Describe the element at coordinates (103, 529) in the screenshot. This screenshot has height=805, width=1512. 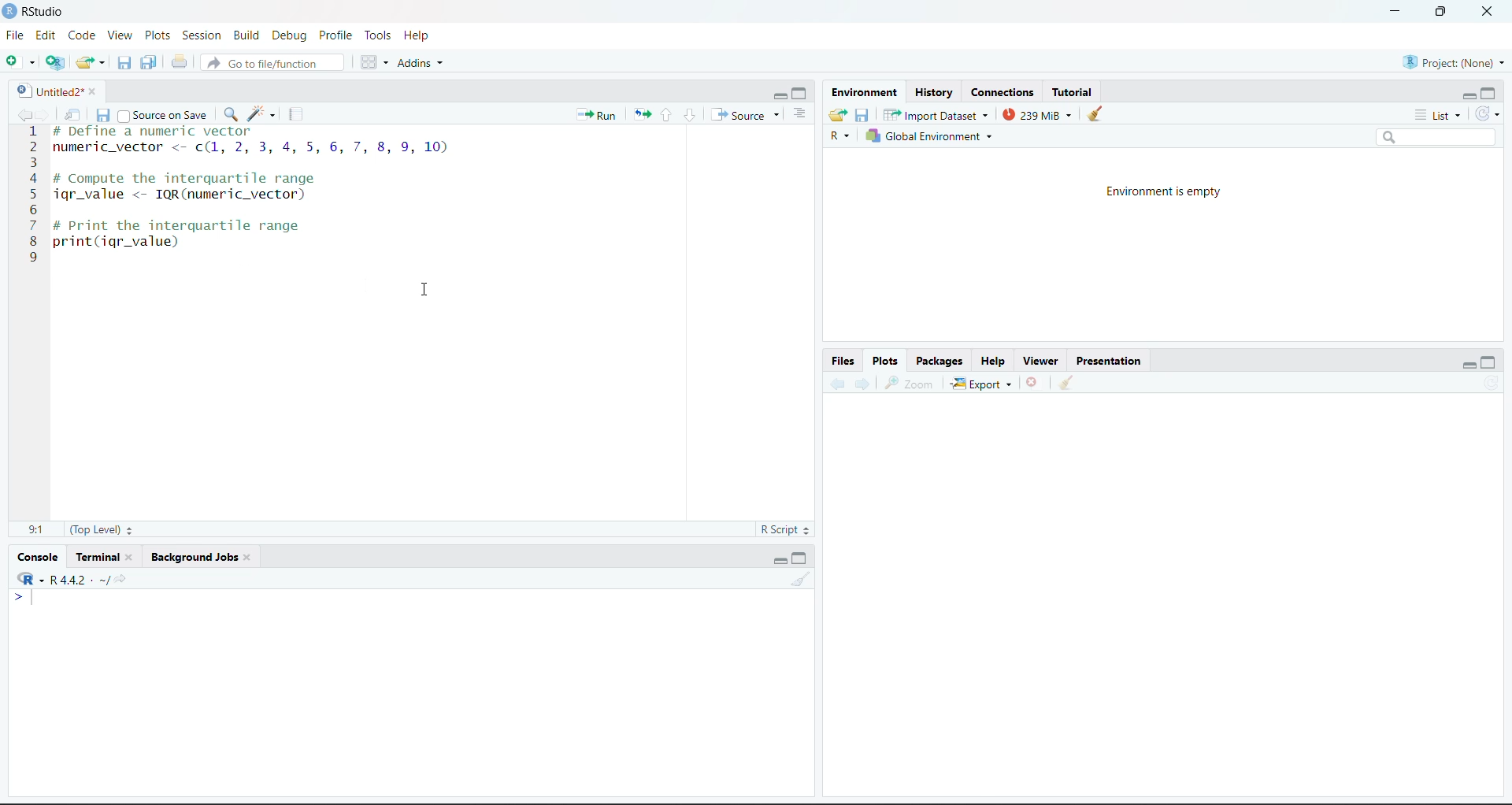
I see `(Top Level)` at that location.